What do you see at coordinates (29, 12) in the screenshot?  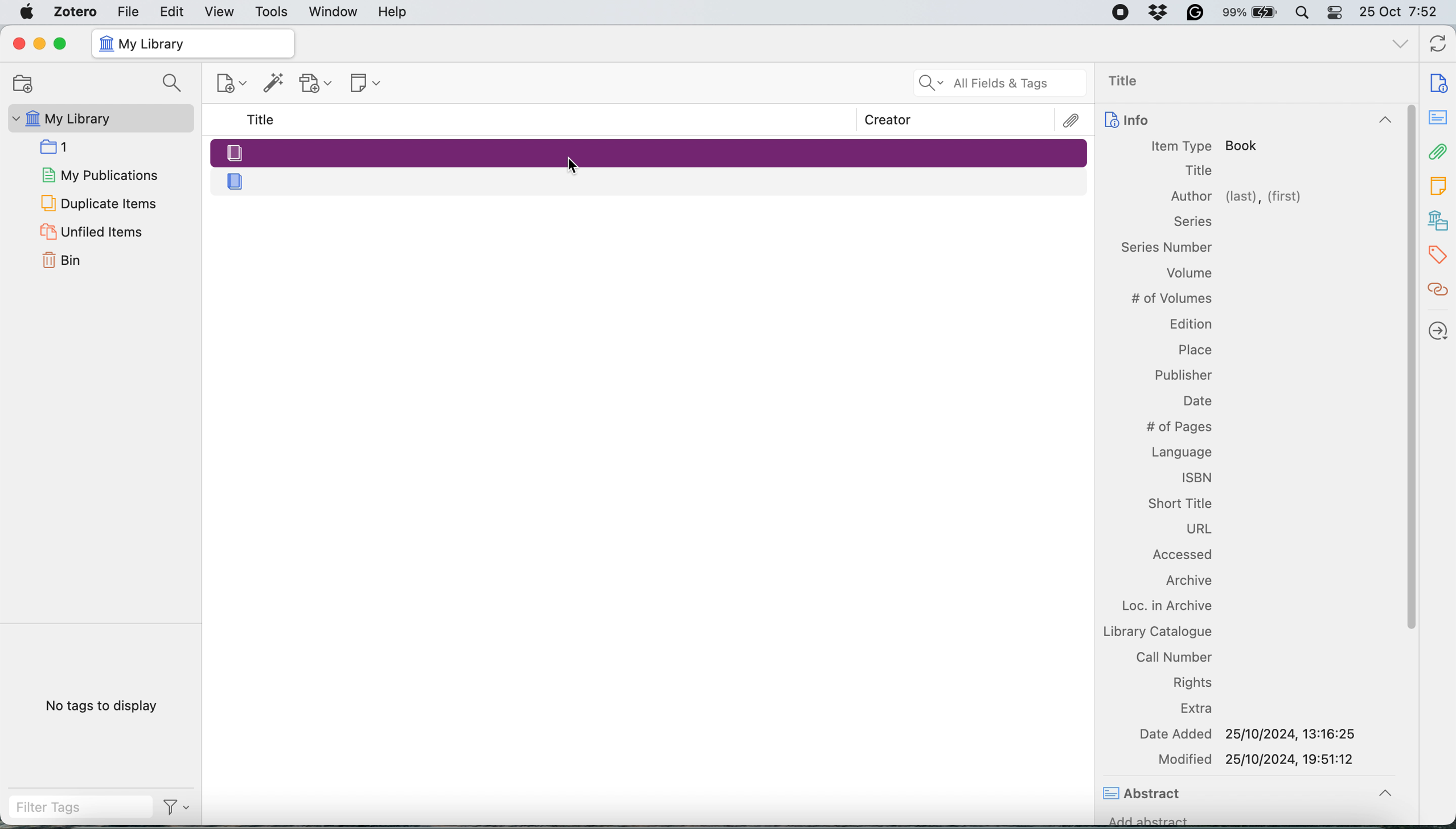 I see `Apple Menu` at bounding box center [29, 12].